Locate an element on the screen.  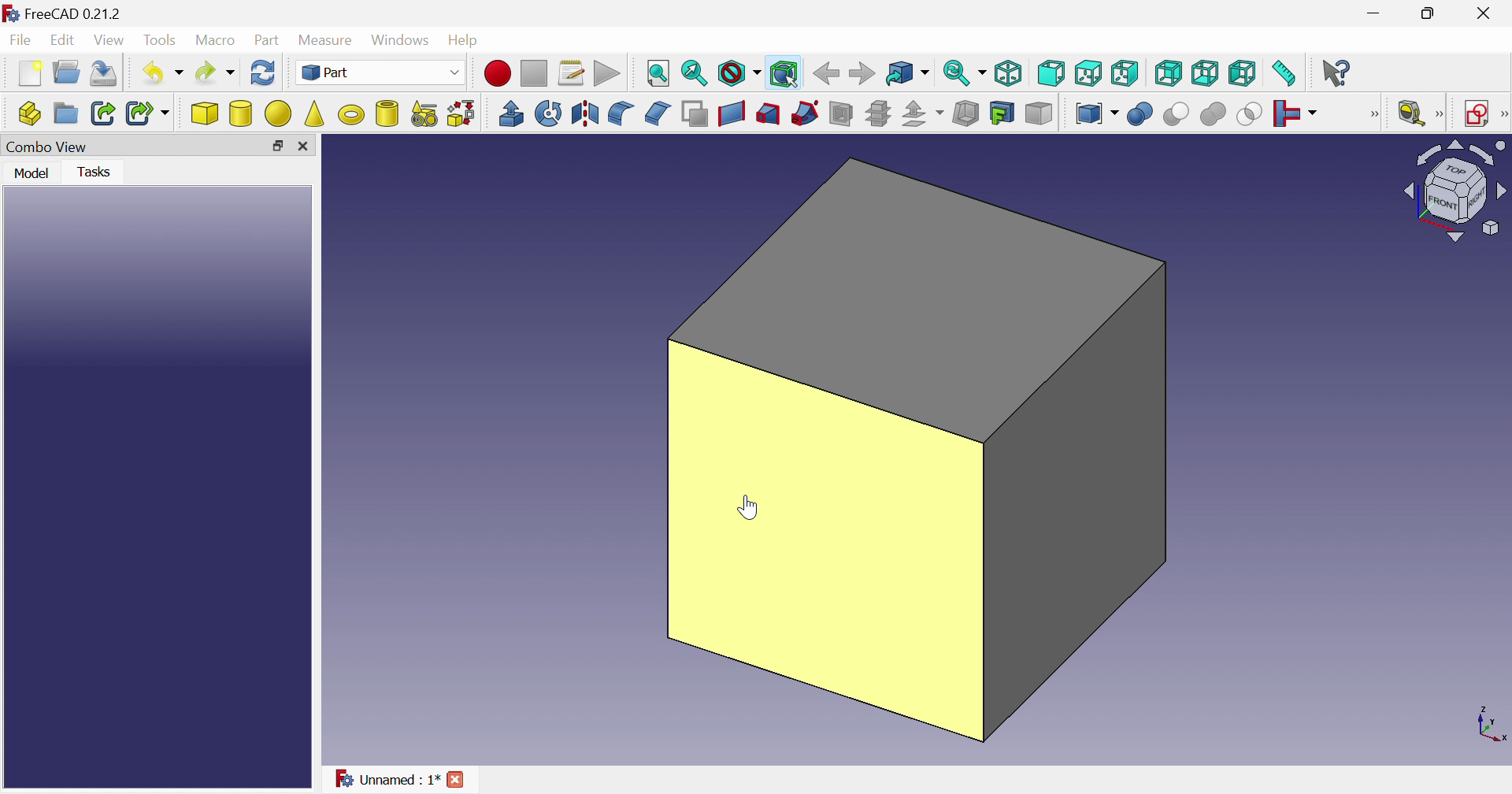
Viewing angle is located at coordinates (1455, 191).